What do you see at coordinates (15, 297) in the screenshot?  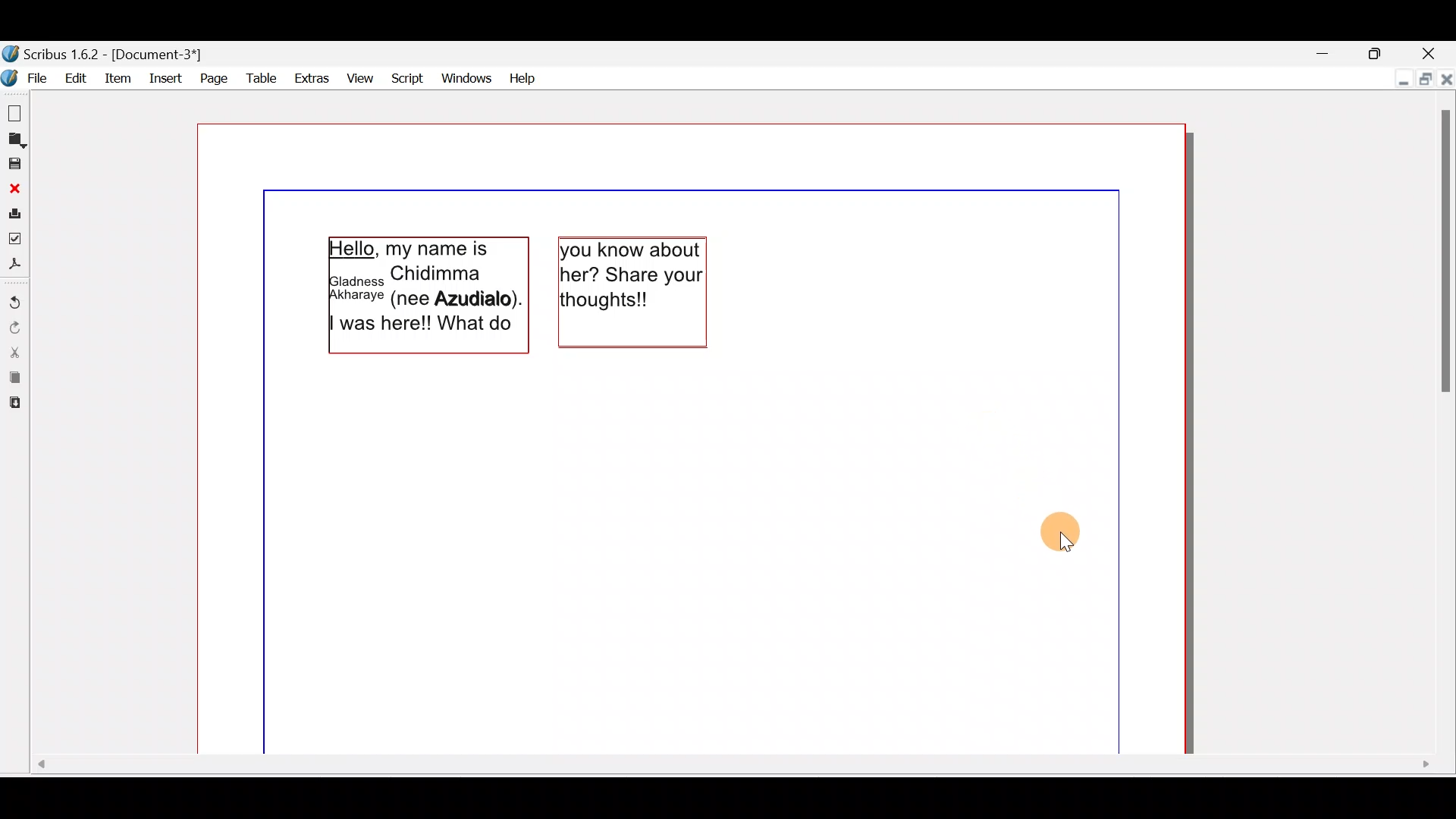 I see `Undo` at bounding box center [15, 297].